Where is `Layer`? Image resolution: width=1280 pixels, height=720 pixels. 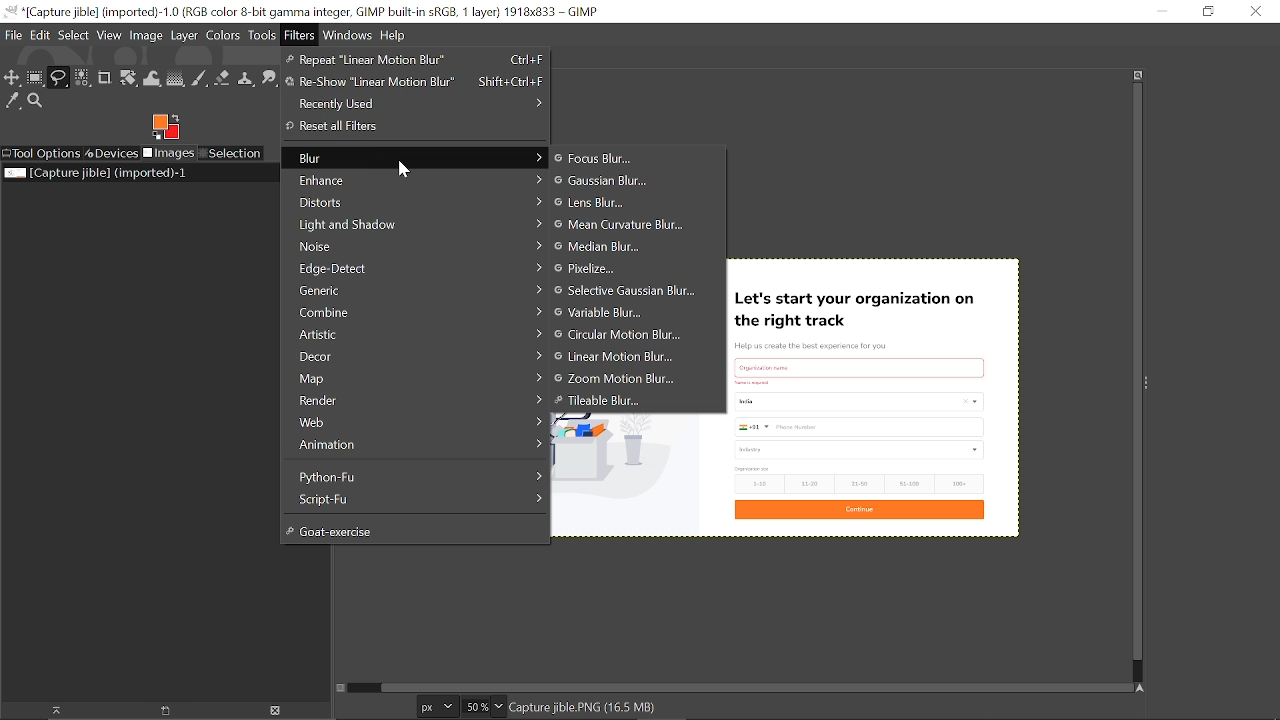 Layer is located at coordinates (184, 37).